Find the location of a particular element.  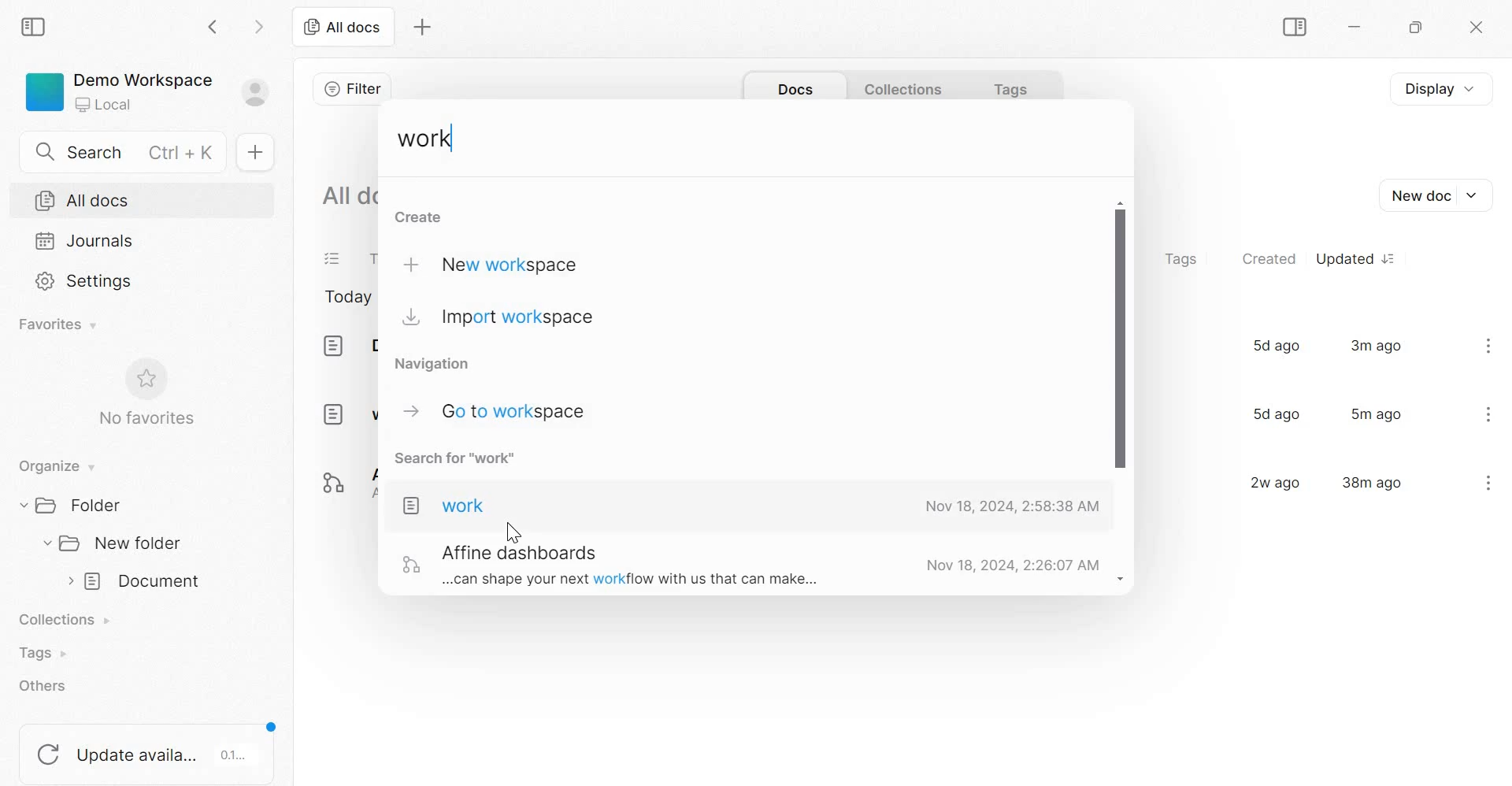

create is located at coordinates (419, 217).